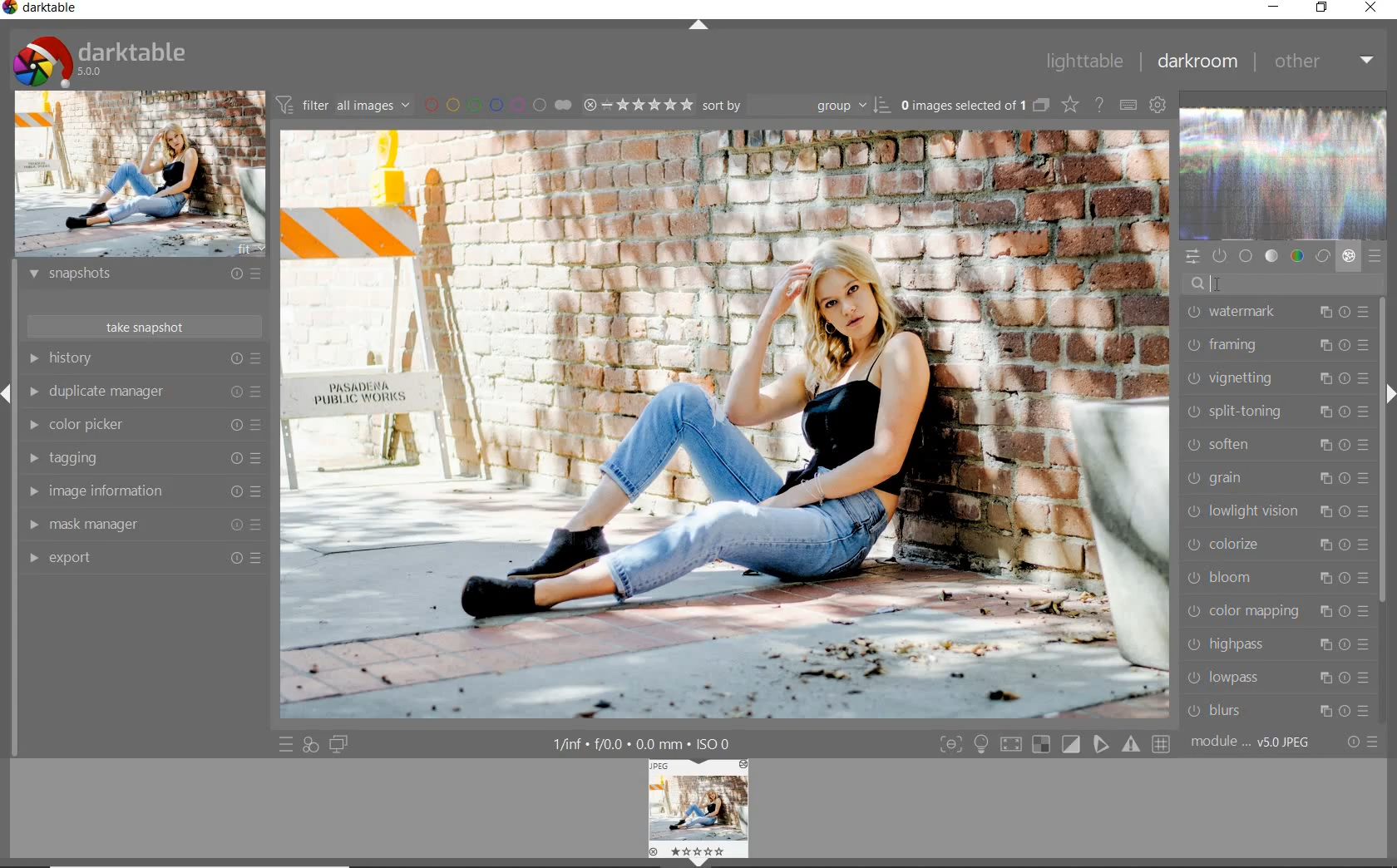 The width and height of the screenshot is (1397, 868). What do you see at coordinates (1322, 8) in the screenshot?
I see `restore` at bounding box center [1322, 8].